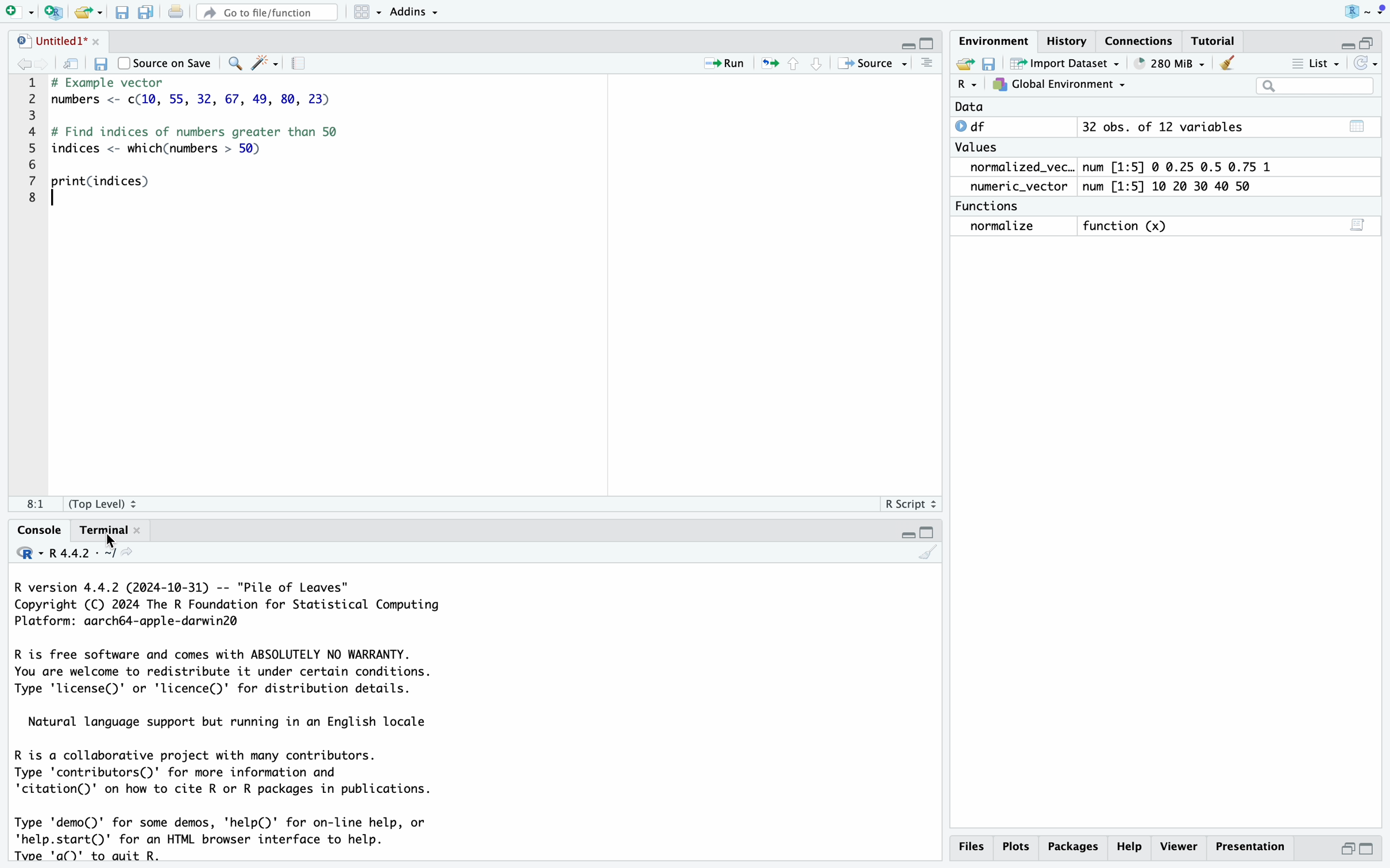 This screenshot has width=1390, height=868. What do you see at coordinates (264, 64) in the screenshot?
I see `WRITOR` at bounding box center [264, 64].